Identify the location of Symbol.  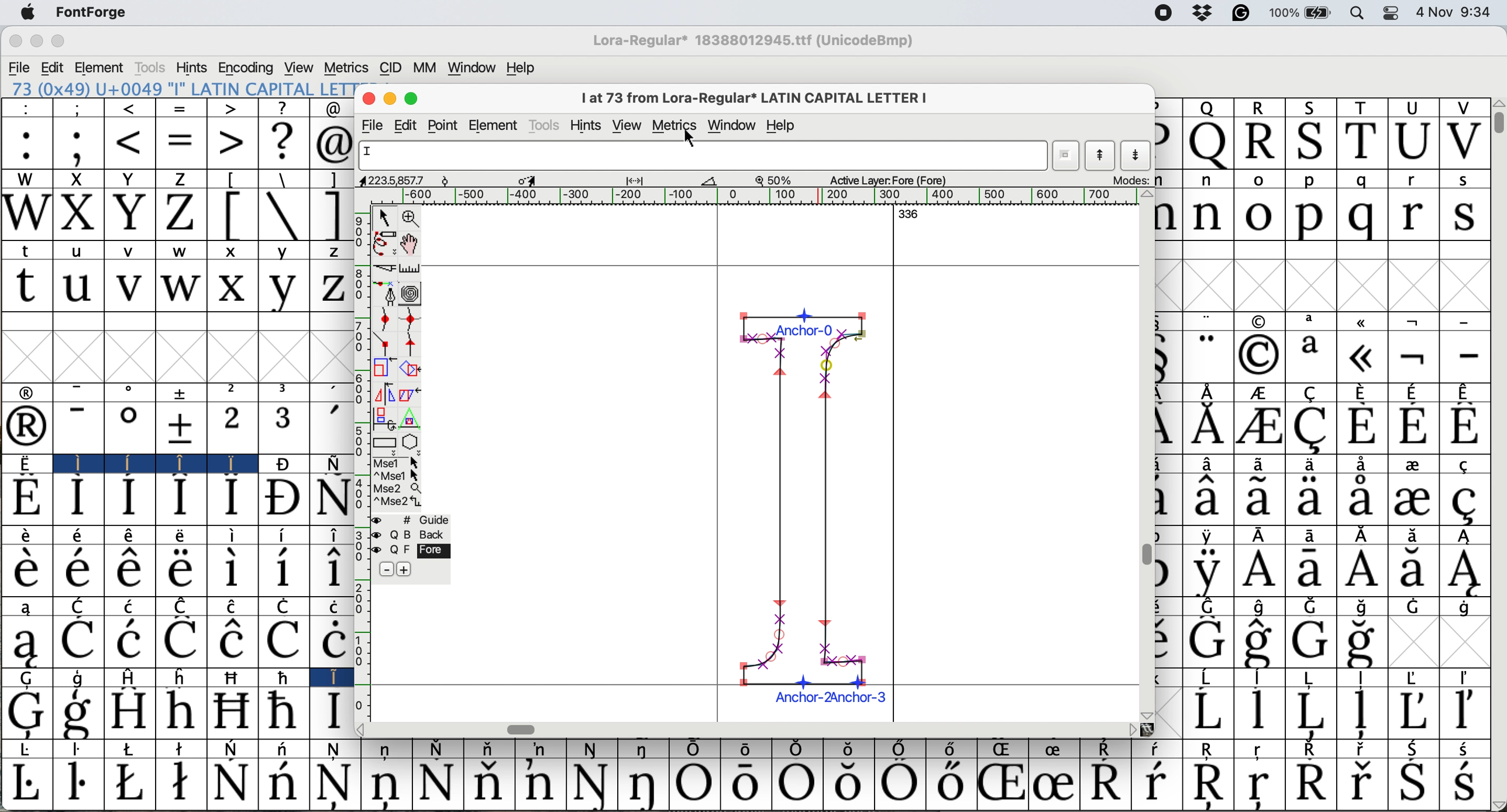
(1259, 465).